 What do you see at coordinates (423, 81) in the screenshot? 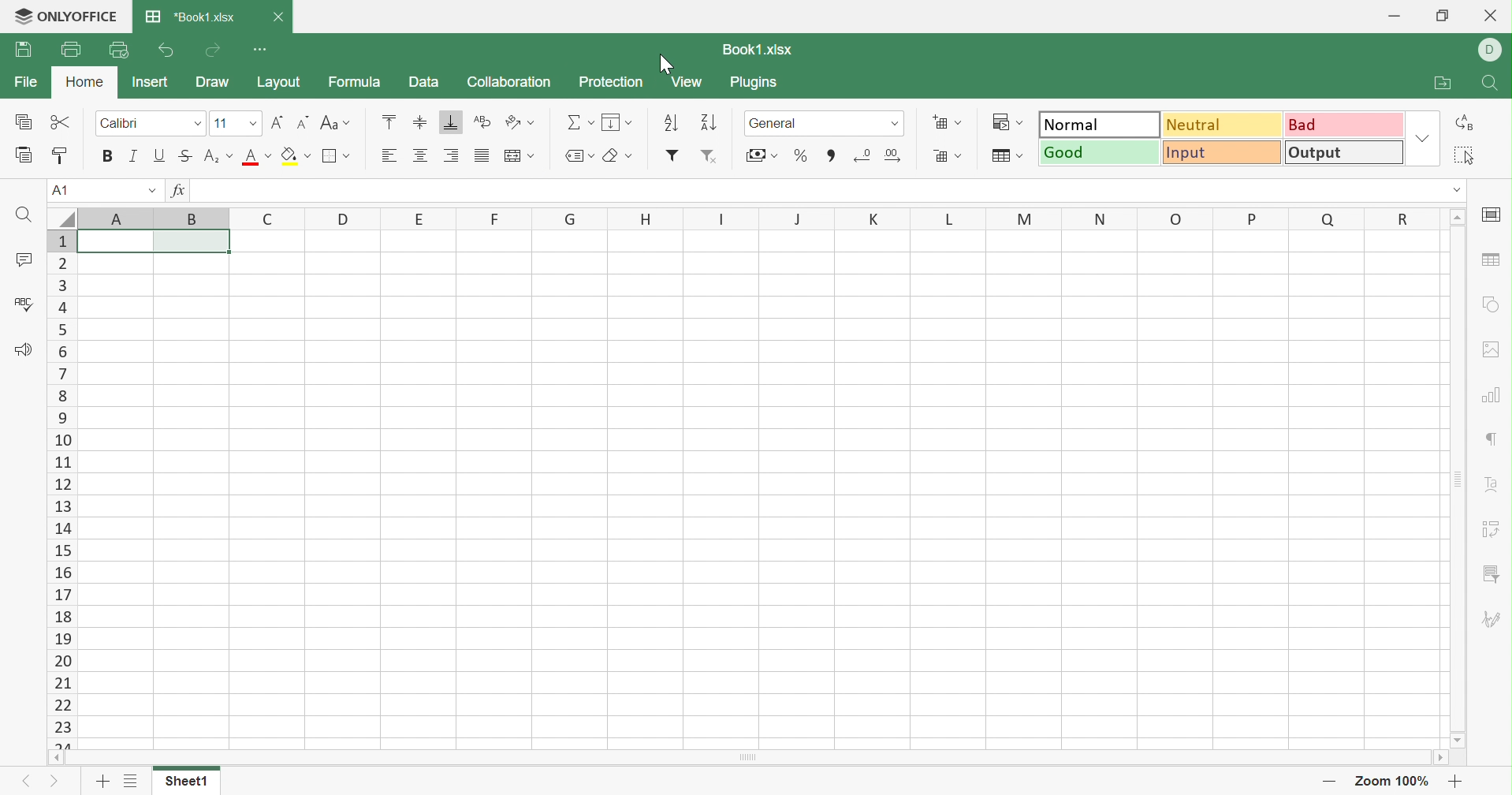
I see `Data` at bounding box center [423, 81].